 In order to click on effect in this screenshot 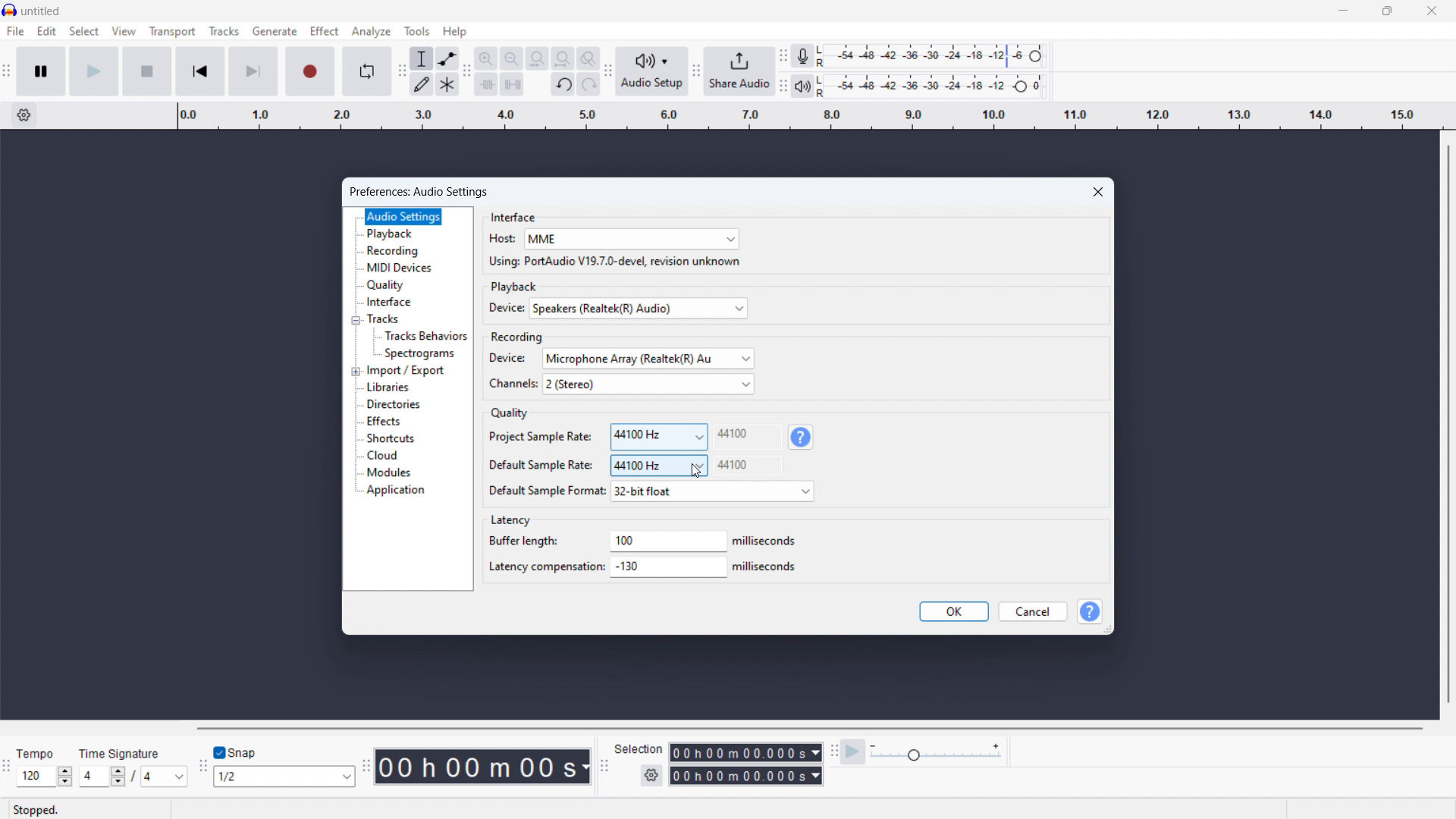, I will do `click(324, 30)`.